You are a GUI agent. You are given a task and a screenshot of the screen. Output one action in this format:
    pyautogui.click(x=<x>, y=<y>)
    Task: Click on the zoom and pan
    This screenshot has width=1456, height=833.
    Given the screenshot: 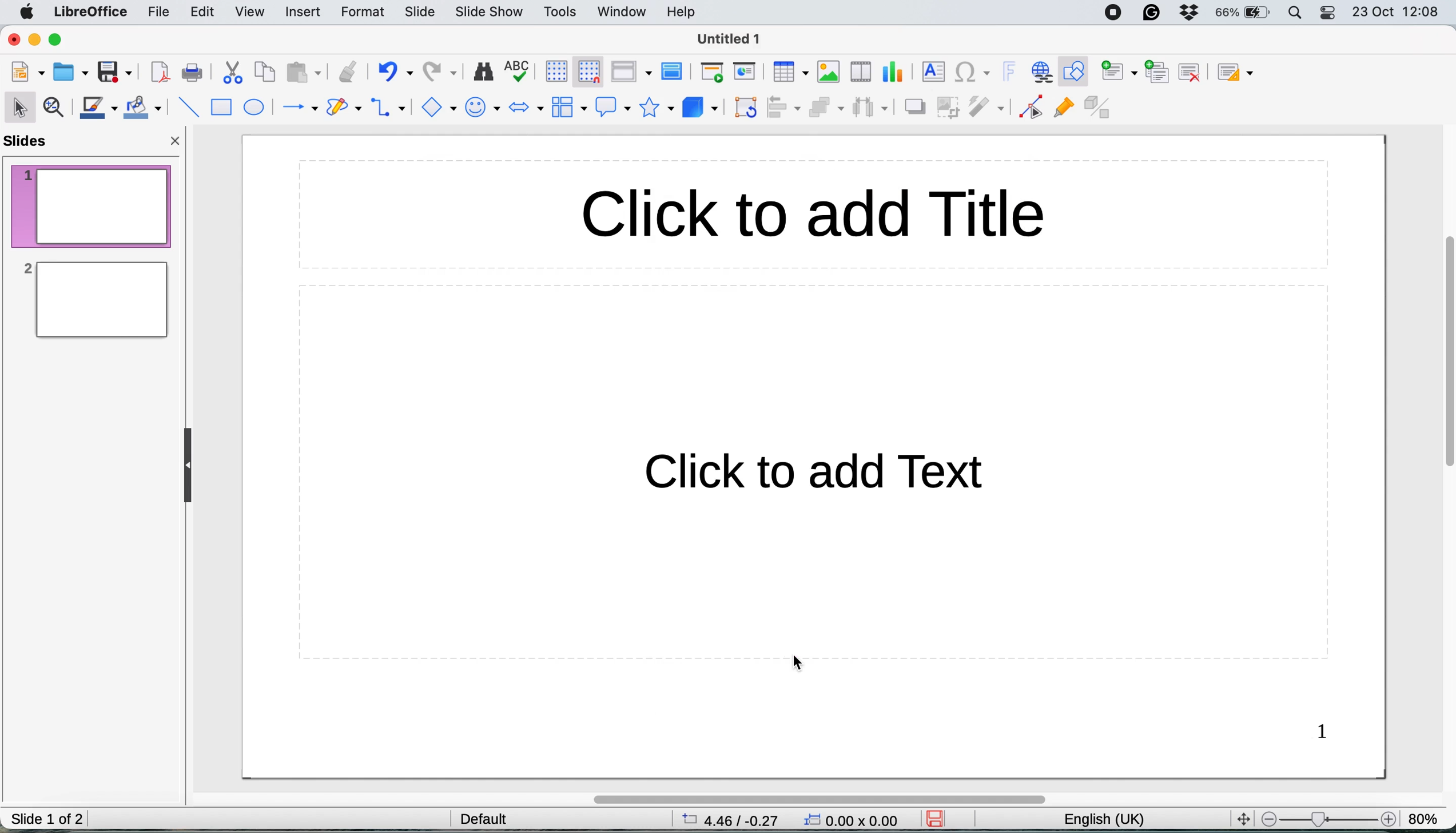 What is the action you would take?
    pyautogui.click(x=56, y=109)
    